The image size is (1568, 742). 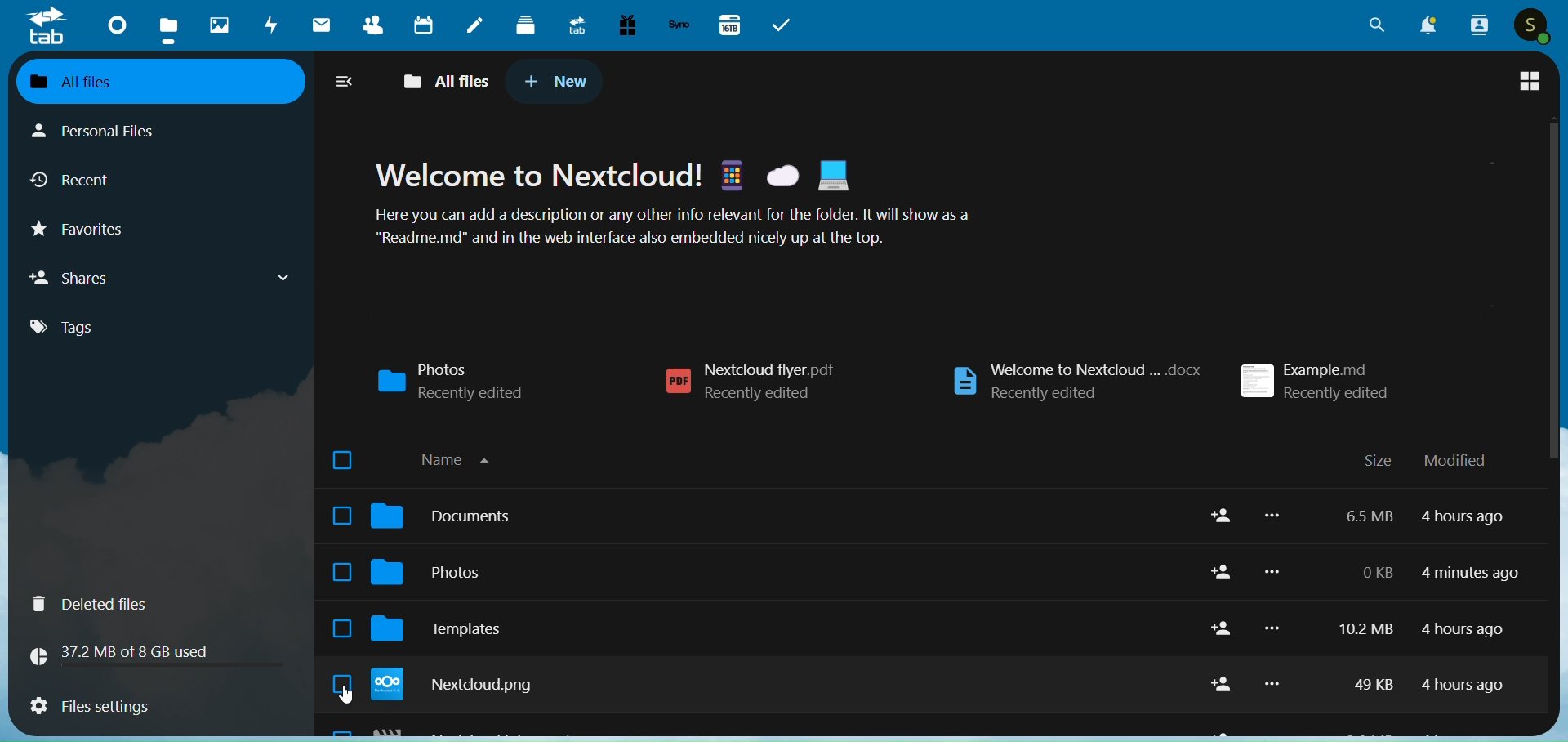 What do you see at coordinates (524, 27) in the screenshot?
I see `deck` at bounding box center [524, 27].